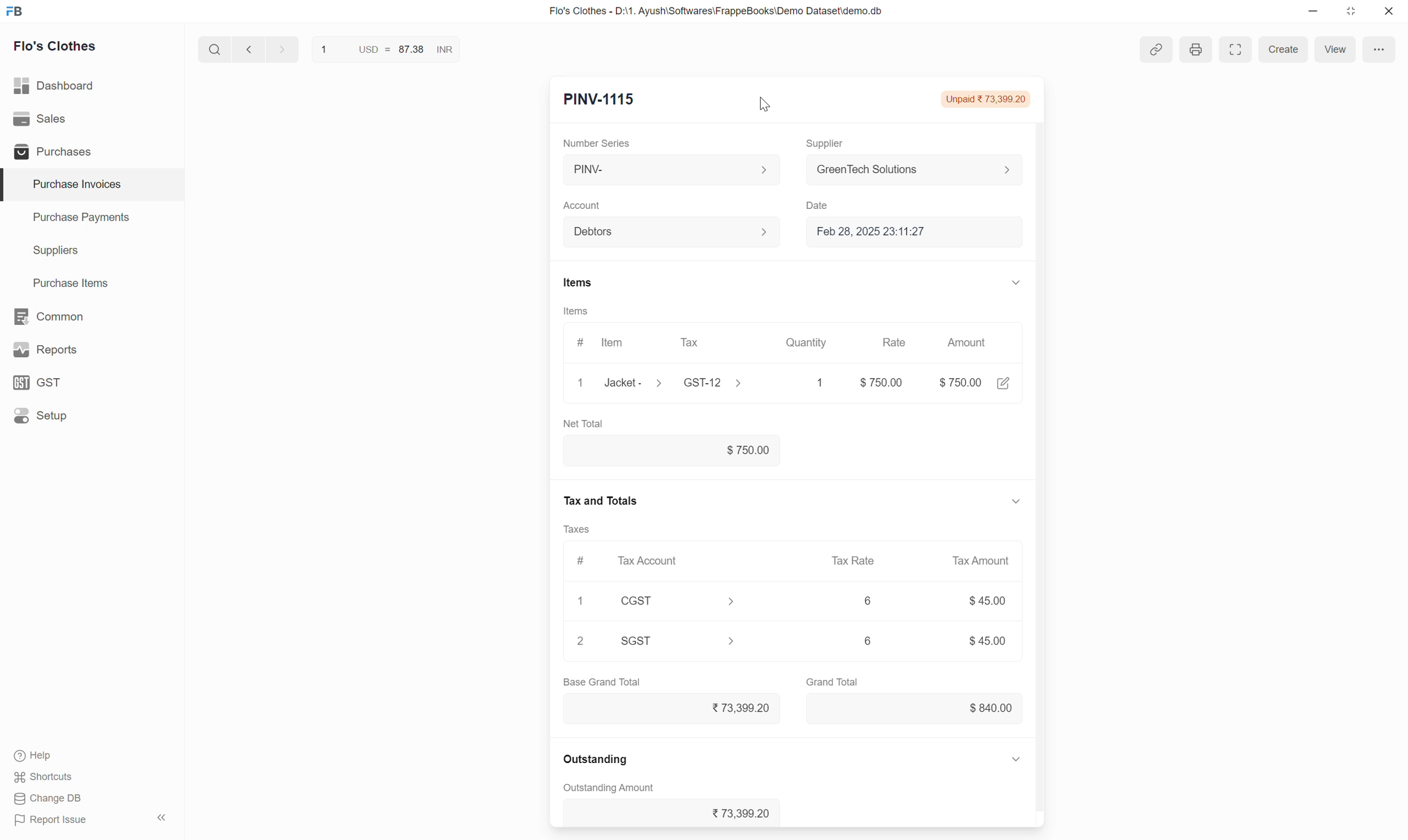 The image size is (1408, 840). I want to click on Open print view, so click(1196, 49).